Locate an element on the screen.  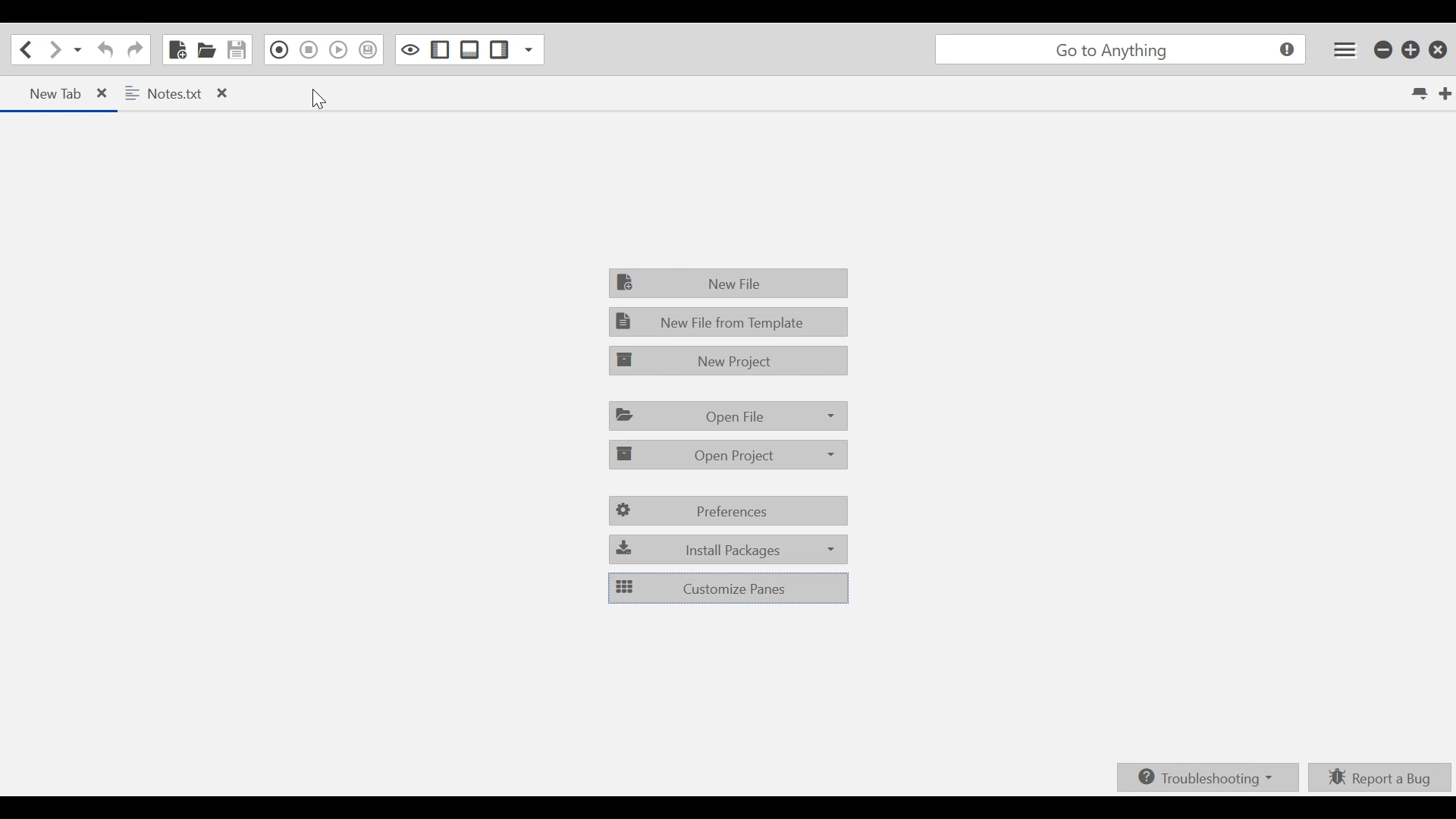
Open File is located at coordinates (206, 50).